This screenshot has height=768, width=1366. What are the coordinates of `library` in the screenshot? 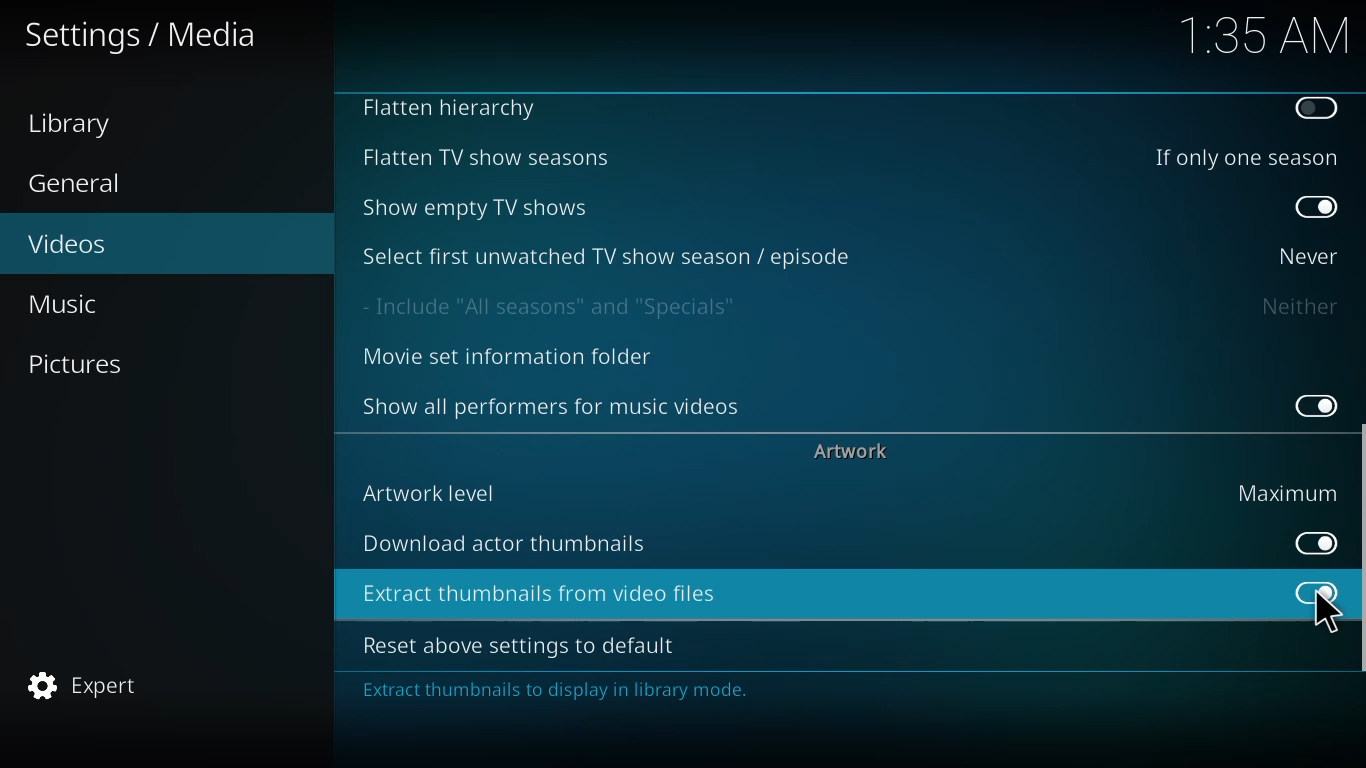 It's located at (77, 124).